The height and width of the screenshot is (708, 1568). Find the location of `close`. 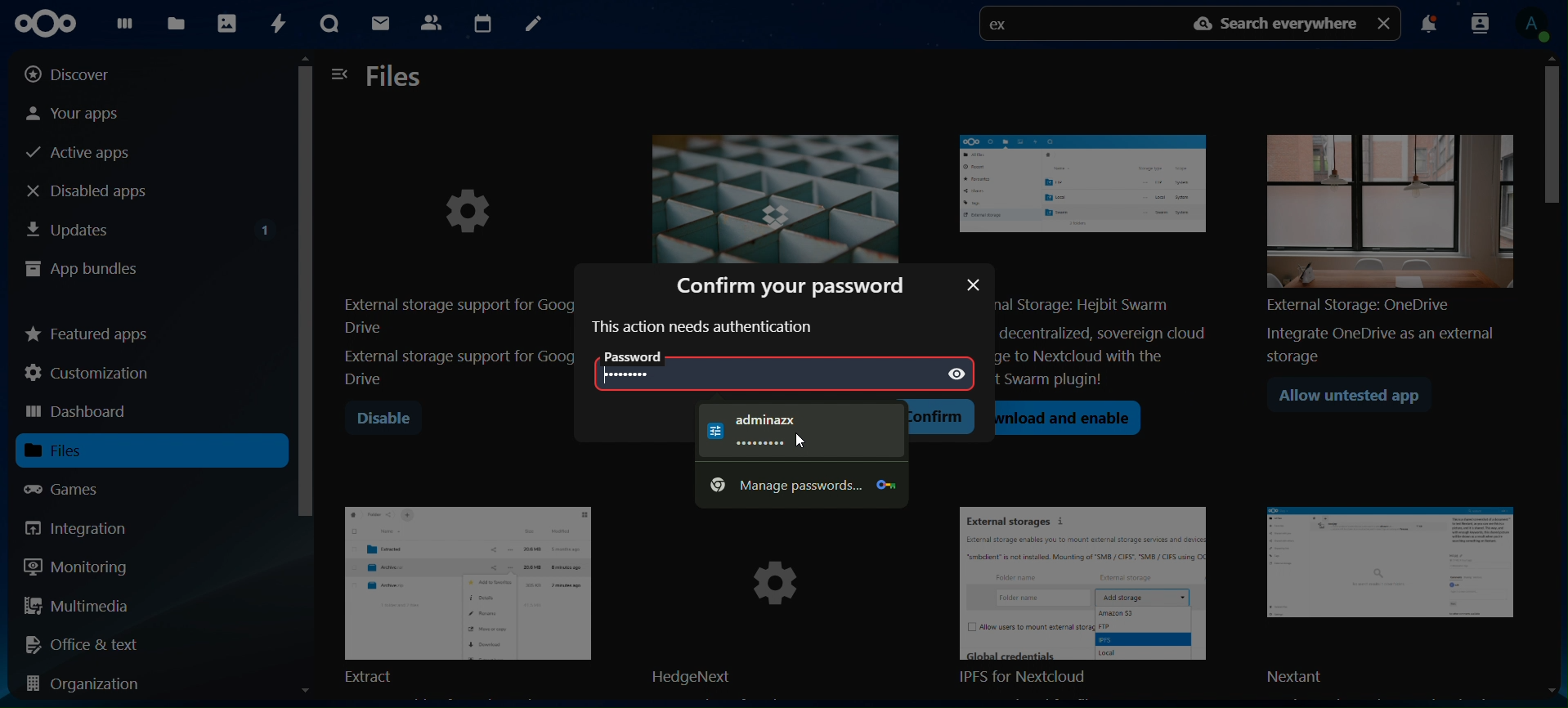

close is located at coordinates (1386, 22).